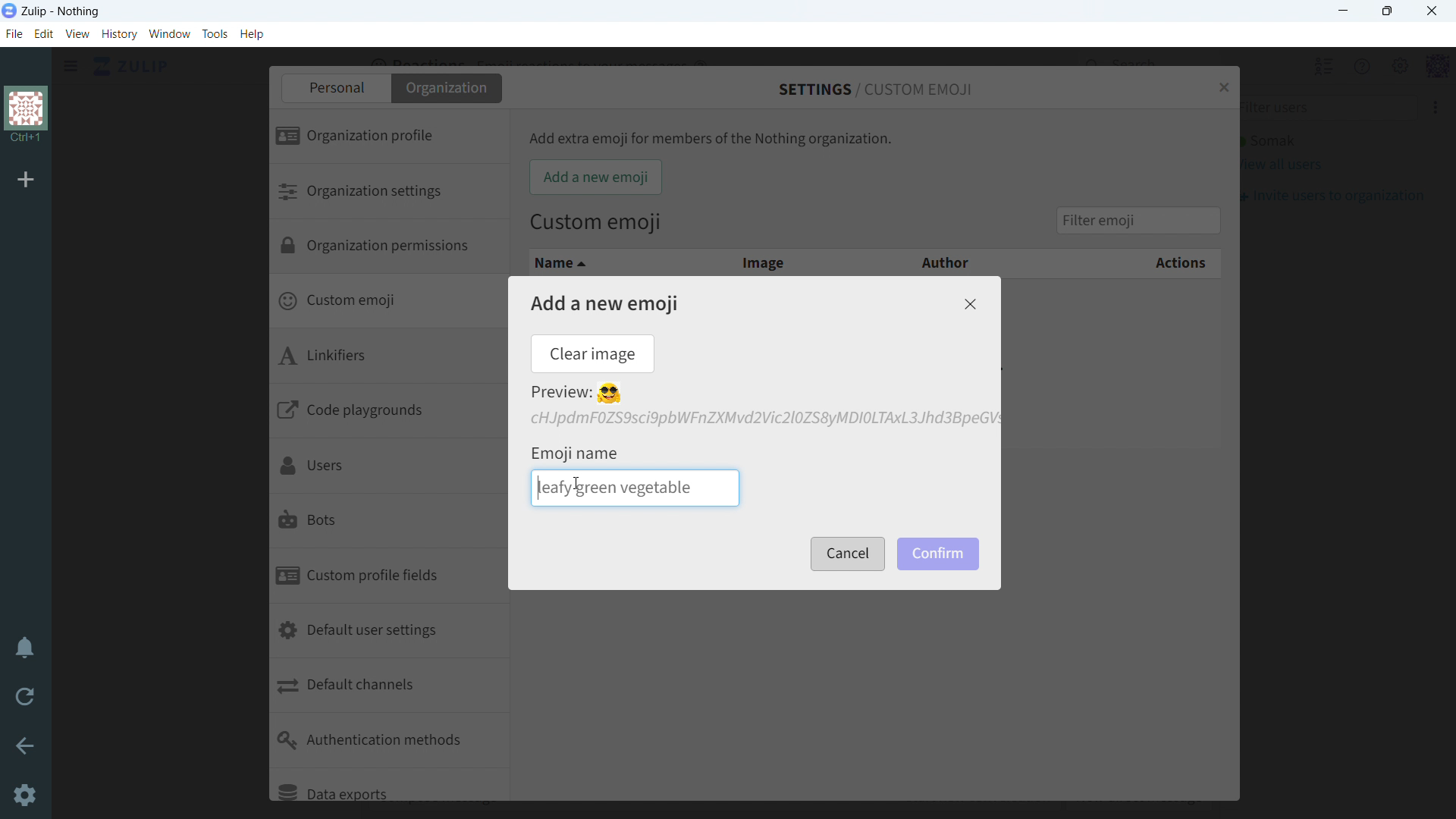  What do you see at coordinates (385, 467) in the screenshot?
I see `users` at bounding box center [385, 467].